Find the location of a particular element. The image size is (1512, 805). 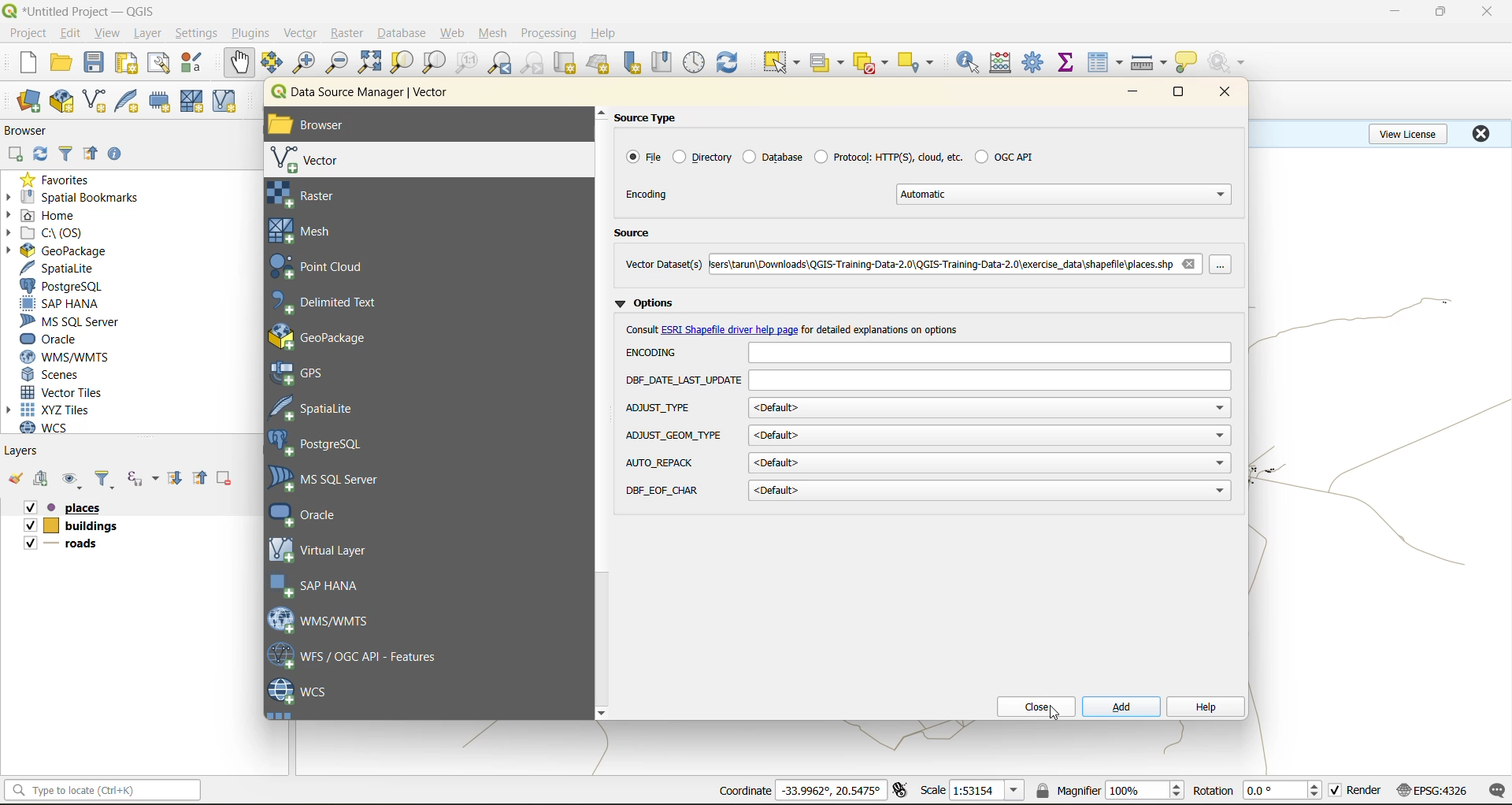

source is located at coordinates (638, 235).